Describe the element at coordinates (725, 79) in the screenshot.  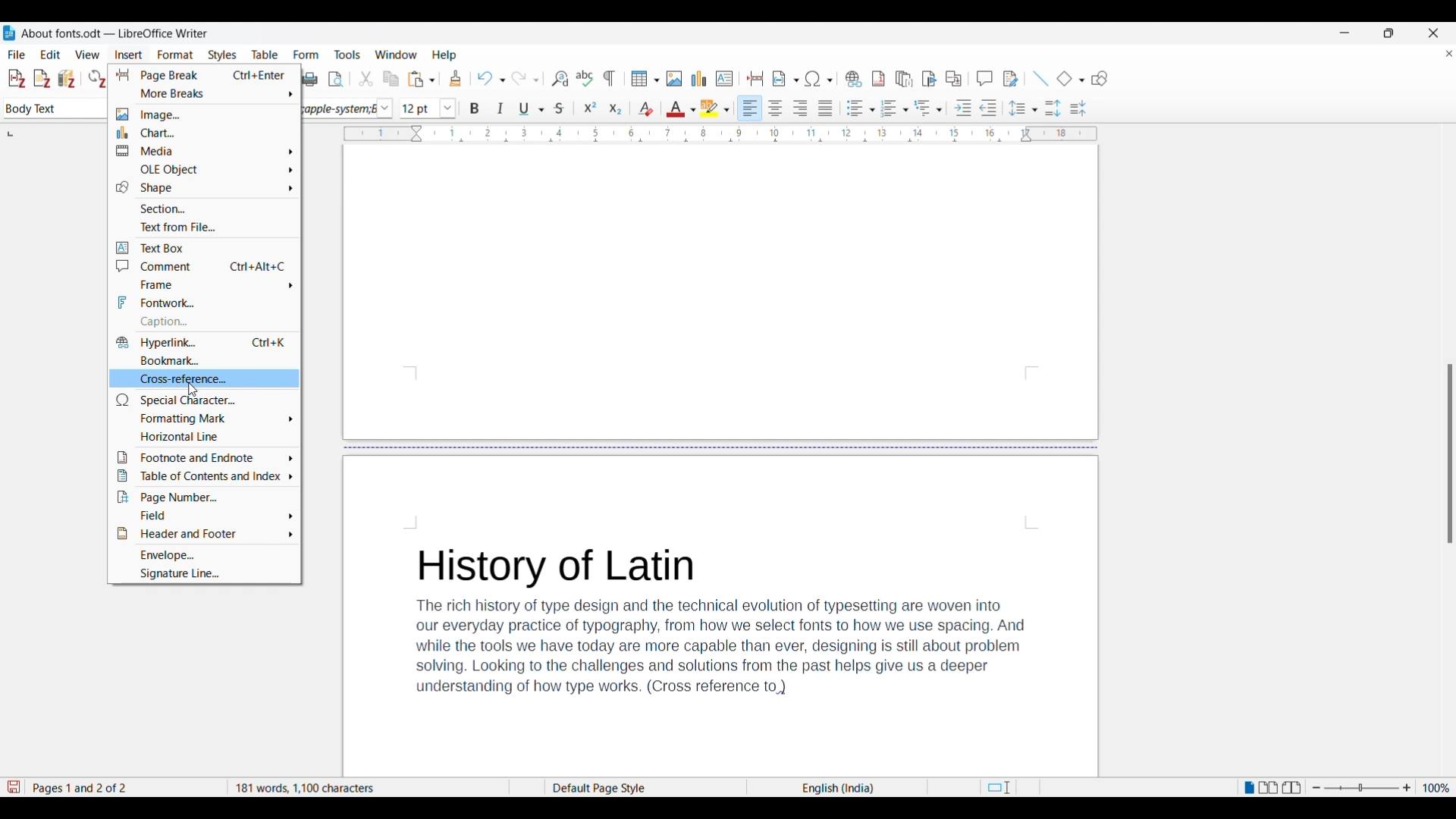
I see `Insert text box` at that location.